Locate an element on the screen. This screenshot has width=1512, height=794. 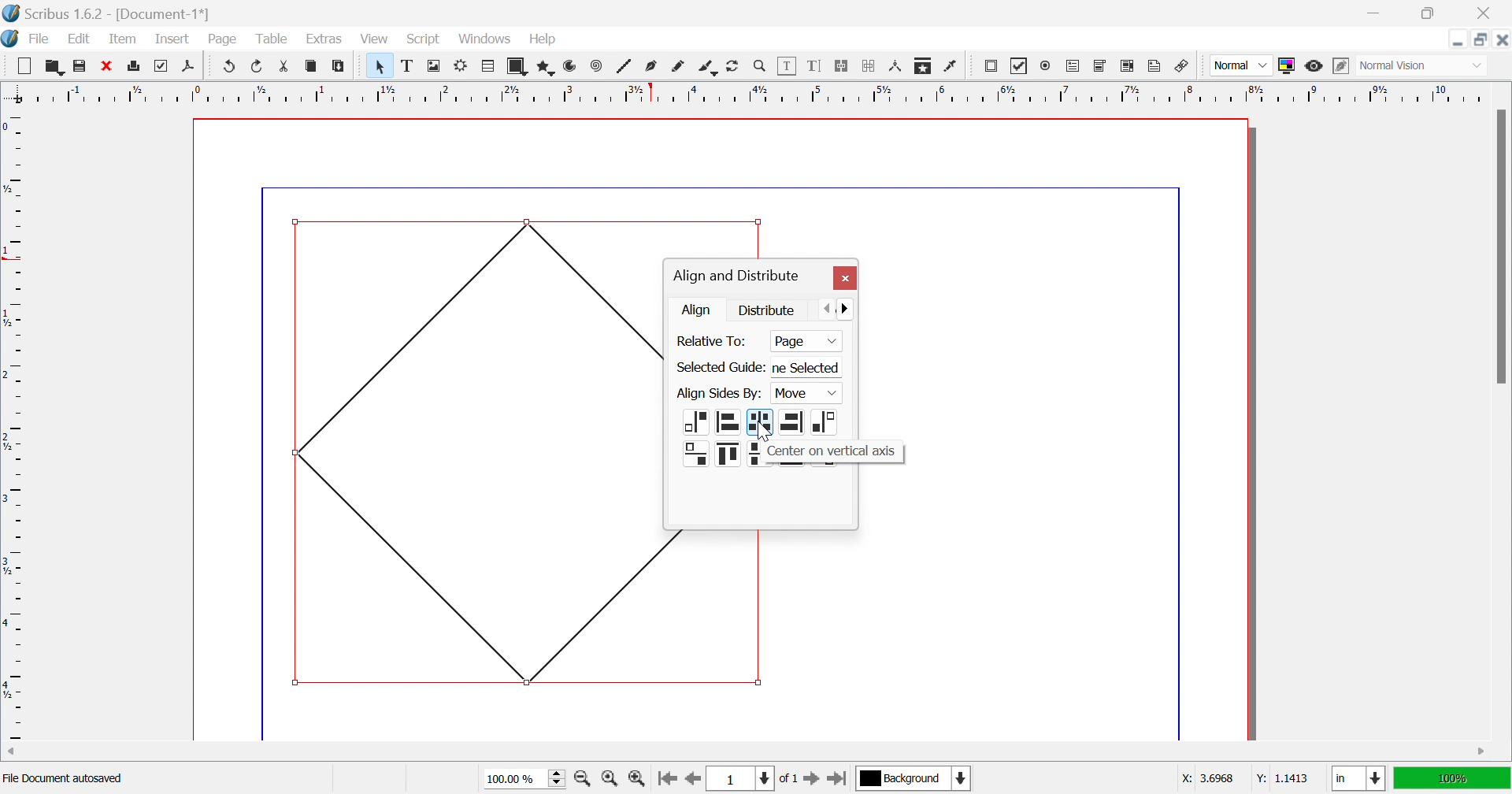
PDF push button is located at coordinates (993, 65).